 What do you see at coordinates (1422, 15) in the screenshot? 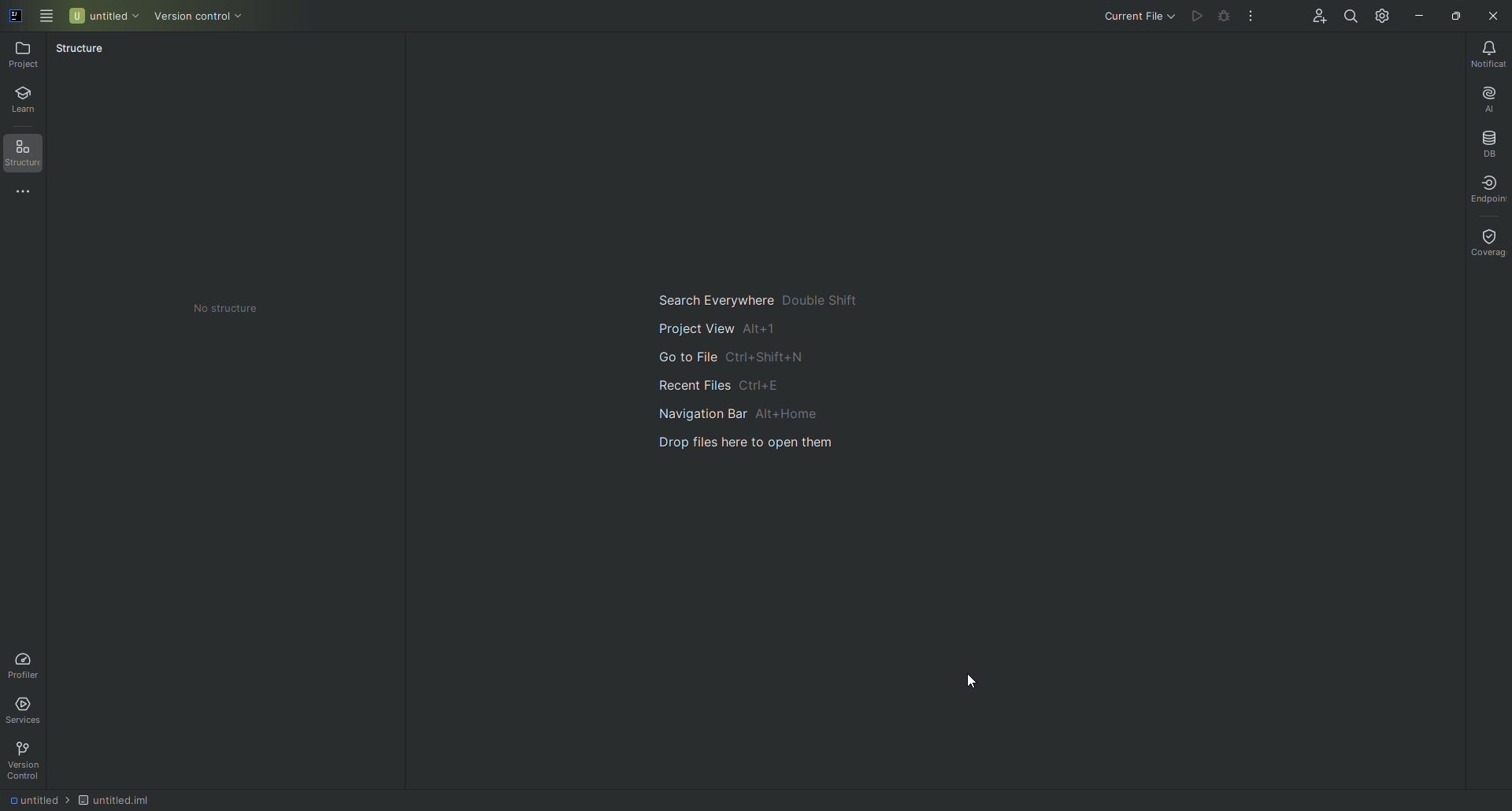
I see `Minimize` at bounding box center [1422, 15].